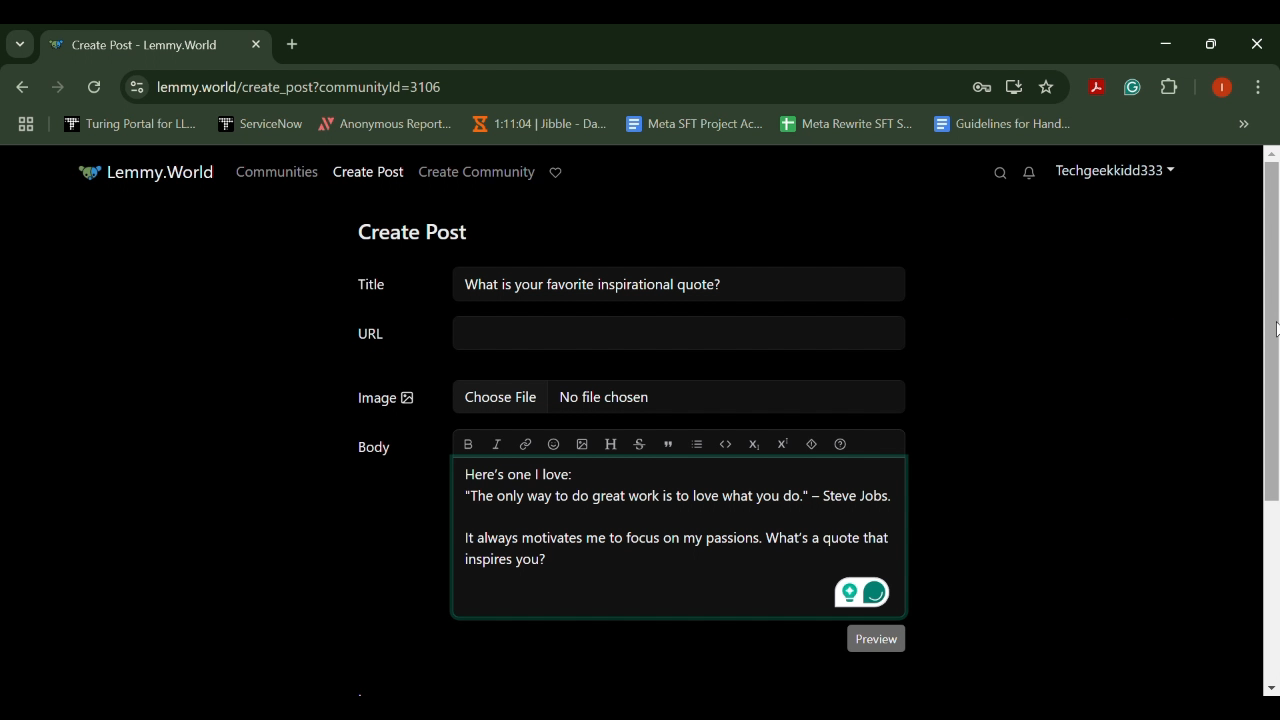 The height and width of the screenshot is (720, 1280). Describe the element at coordinates (386, 123) in the screenshot. I see `Anonymous Report...` at that location.